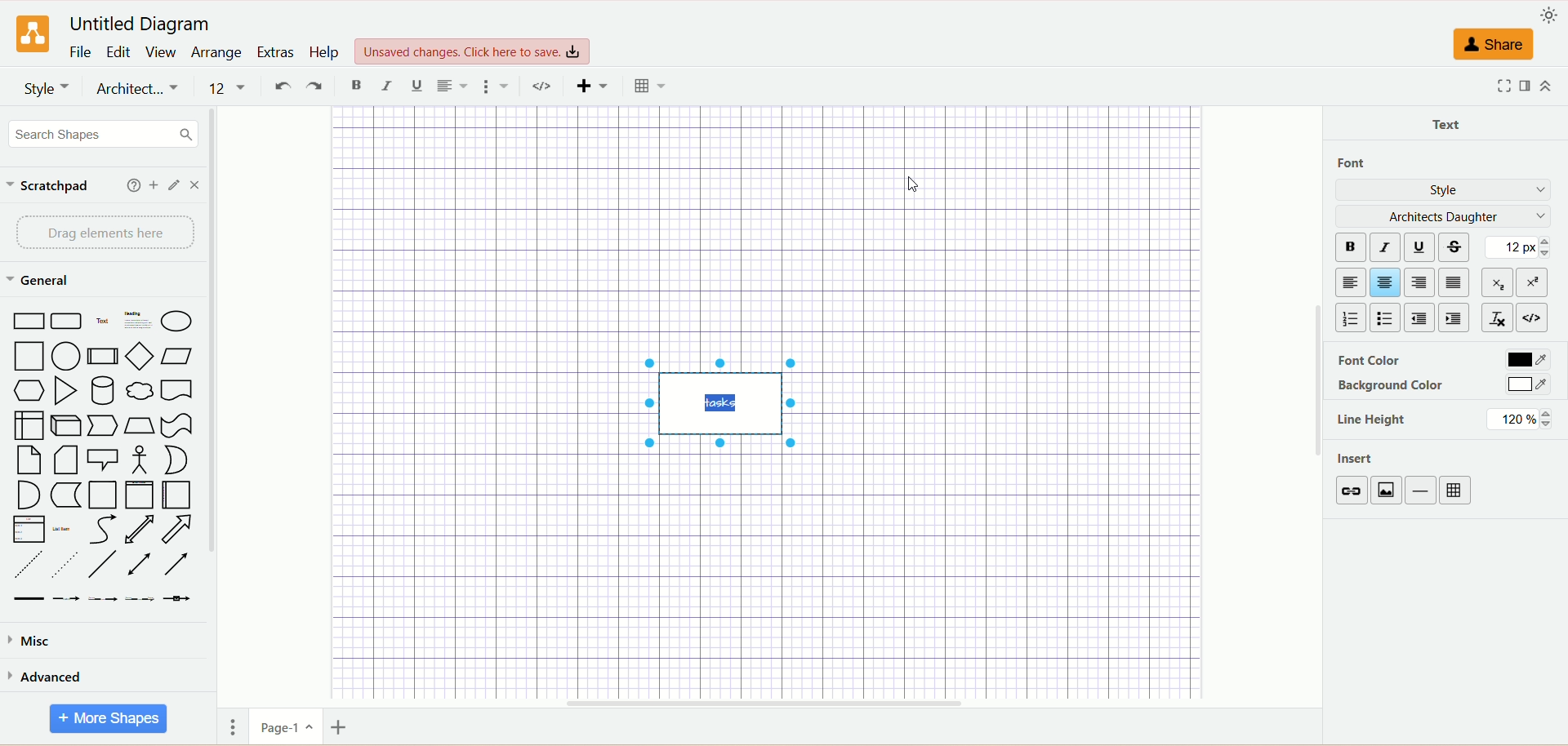 Image resolution: width=1568 pixels, height=746 pixels. What do you see at coordinates (497, 87) in the screenshot?
I see `More Settings` at bounding box center [497, 87].